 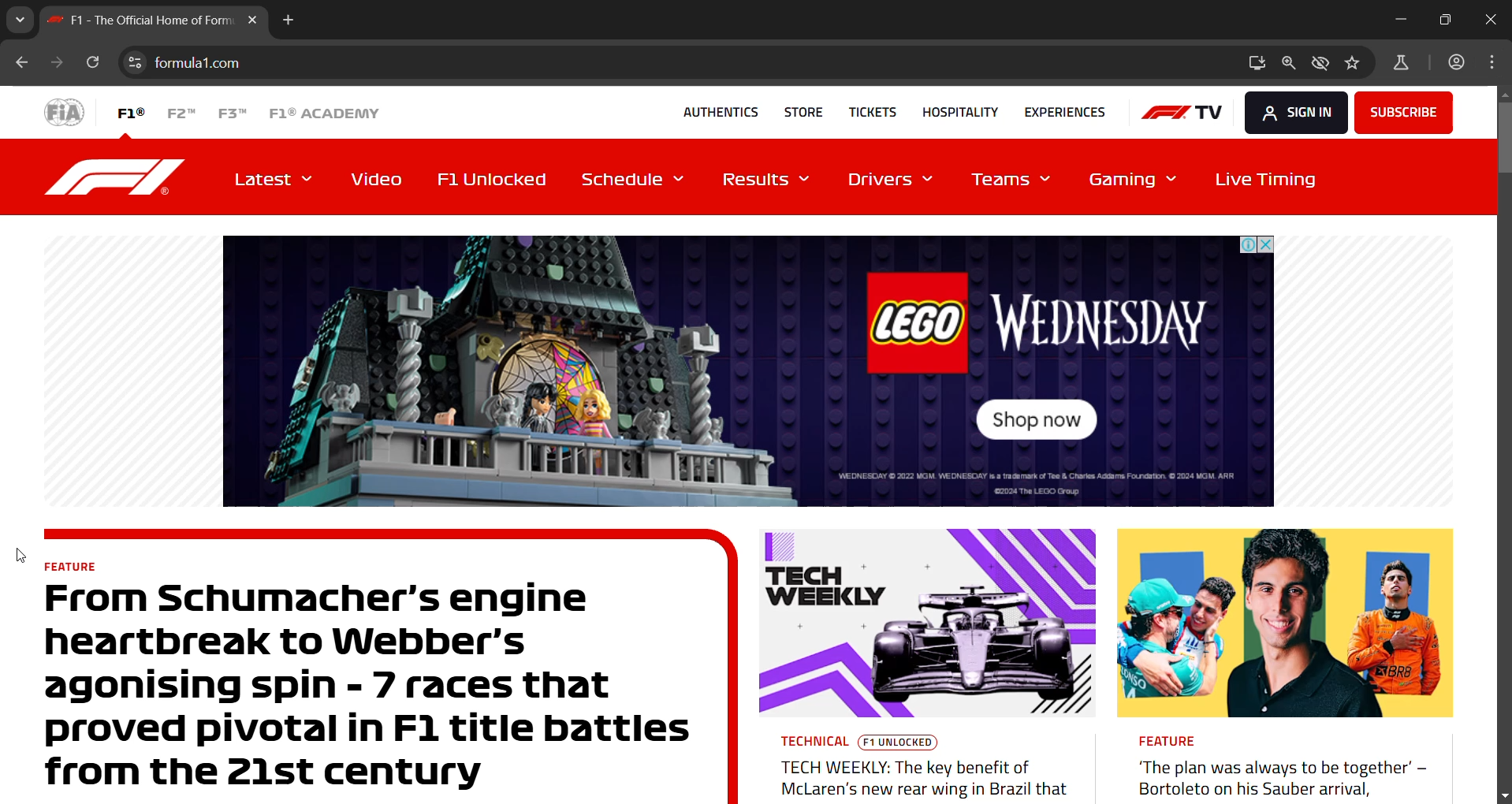 What do you see at coordinates (866, 110) in the screenshot?
I see `TICKETS` at bounding box center [866, 110].